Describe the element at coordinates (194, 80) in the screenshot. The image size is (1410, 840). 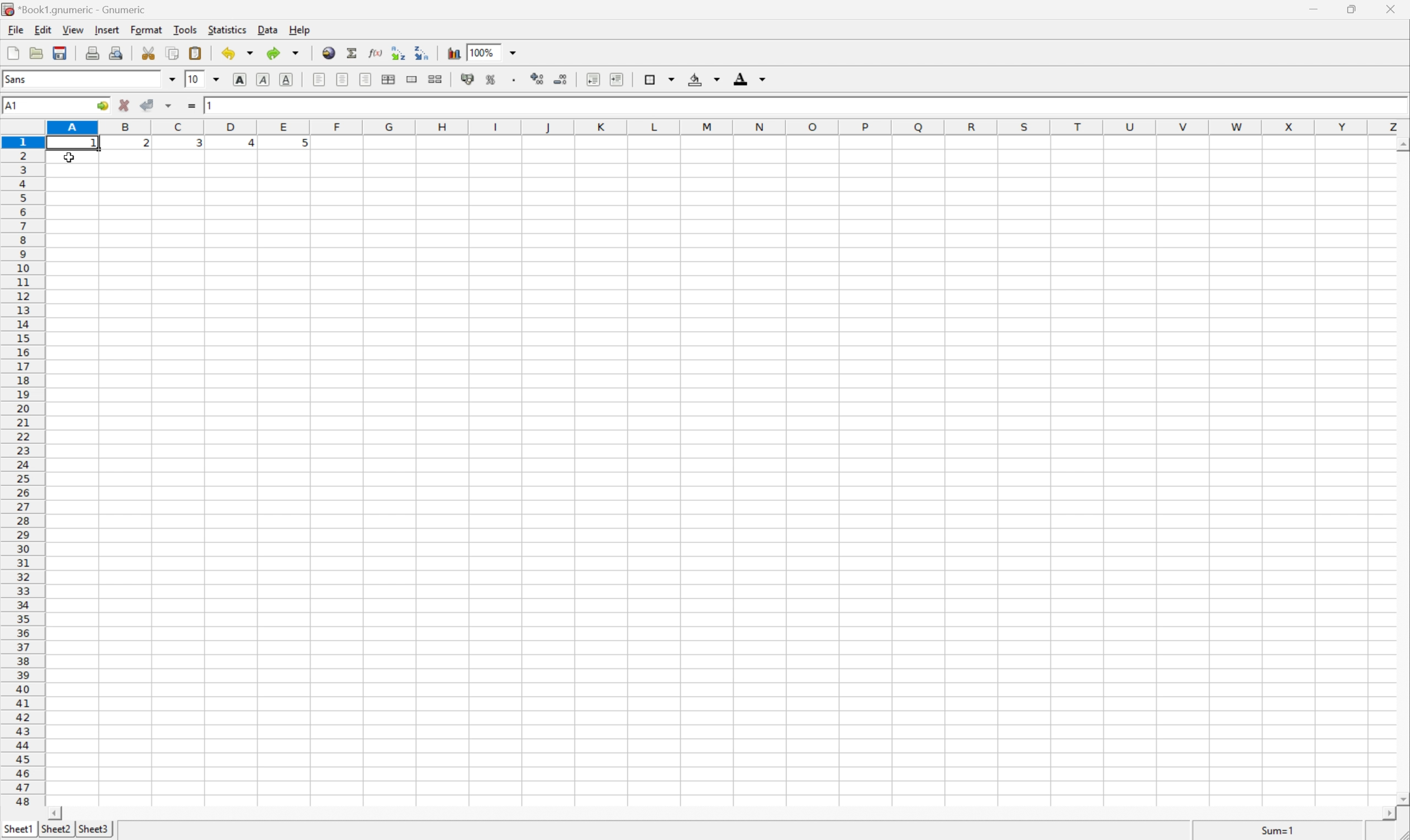
I see `10` at that location.